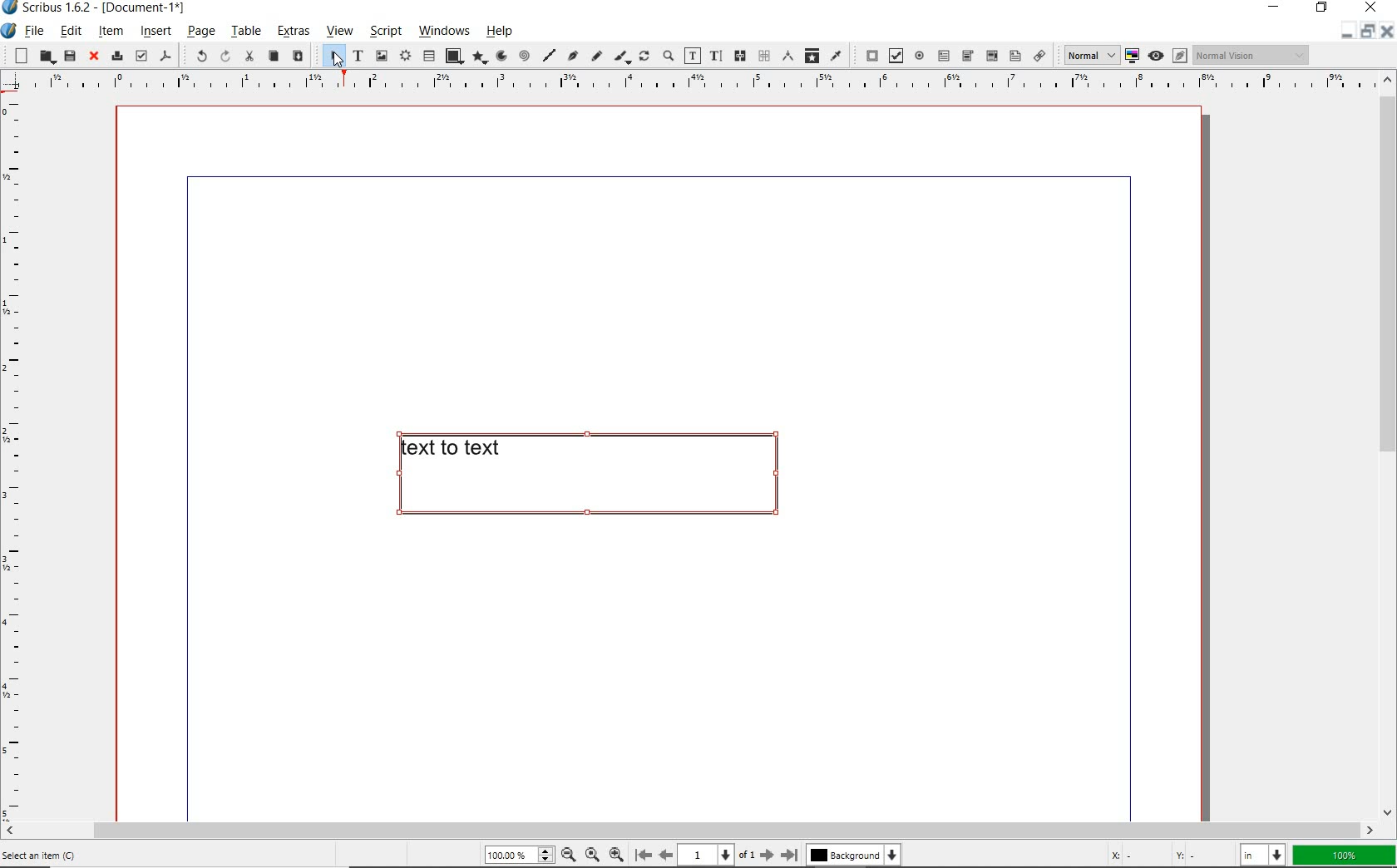 The height and width of the screenshot is (868, 1397). I want to click on Horizontal page margin, so click(23, 458).